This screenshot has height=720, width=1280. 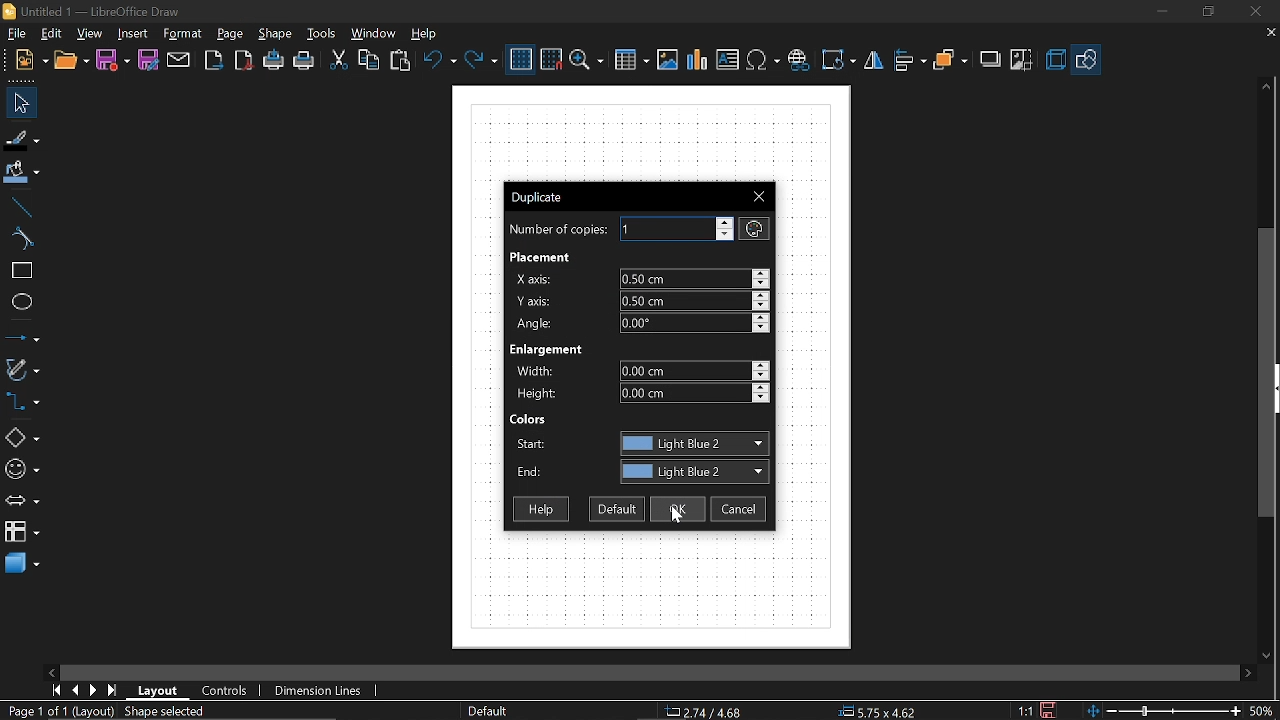 What do you see at coordinates (374, 34) in the screenshot?
I see `Window` at bounding box center [374, 34].